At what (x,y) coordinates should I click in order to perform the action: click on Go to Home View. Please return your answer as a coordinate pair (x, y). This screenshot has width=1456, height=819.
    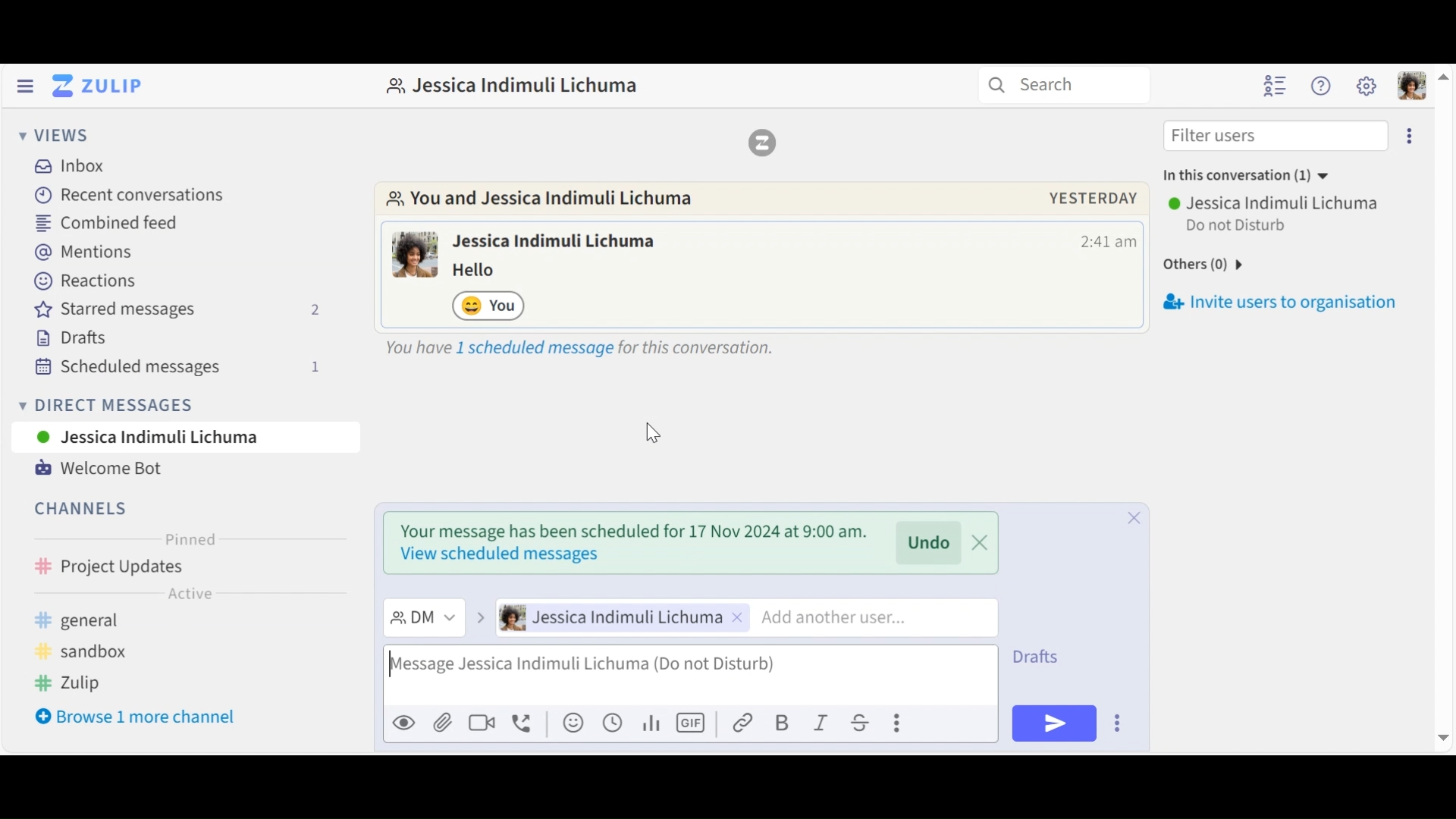
    Looking at the image, I should click on (94, 86).